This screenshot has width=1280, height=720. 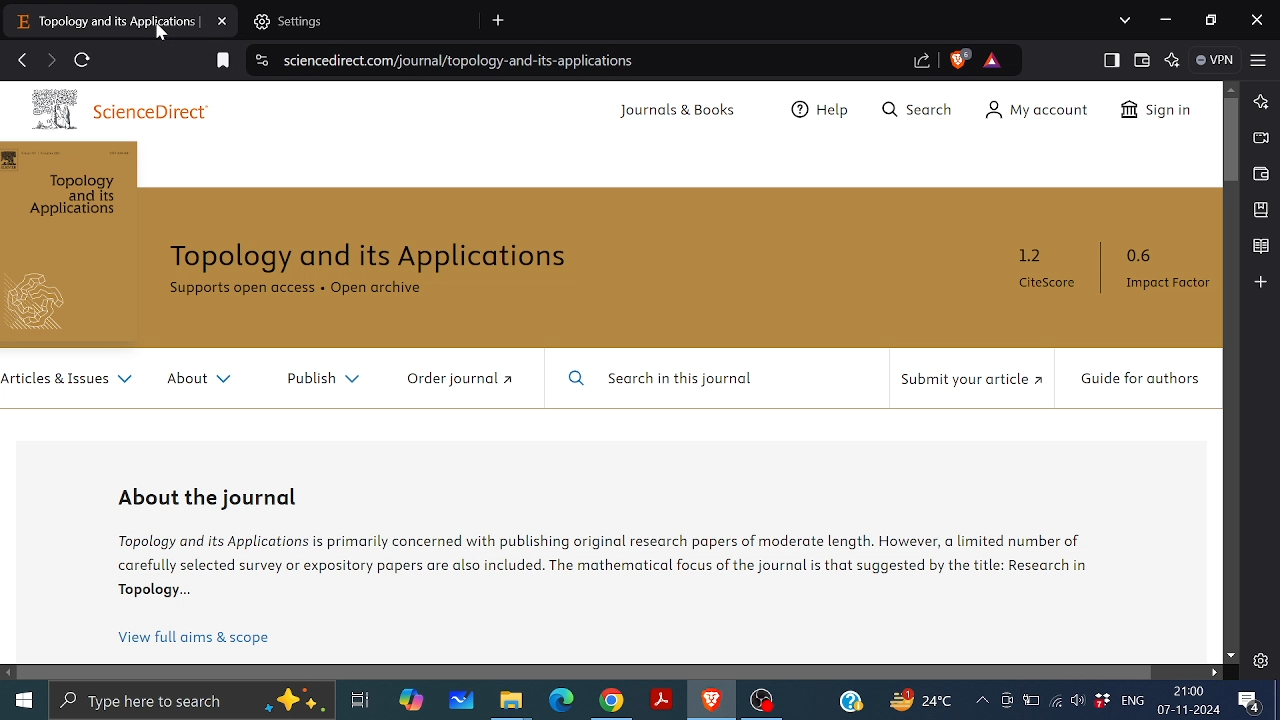 What do you see at coordinates (52, 112) in the screenshot?
I see `logo` at bounding box center [52, 112].